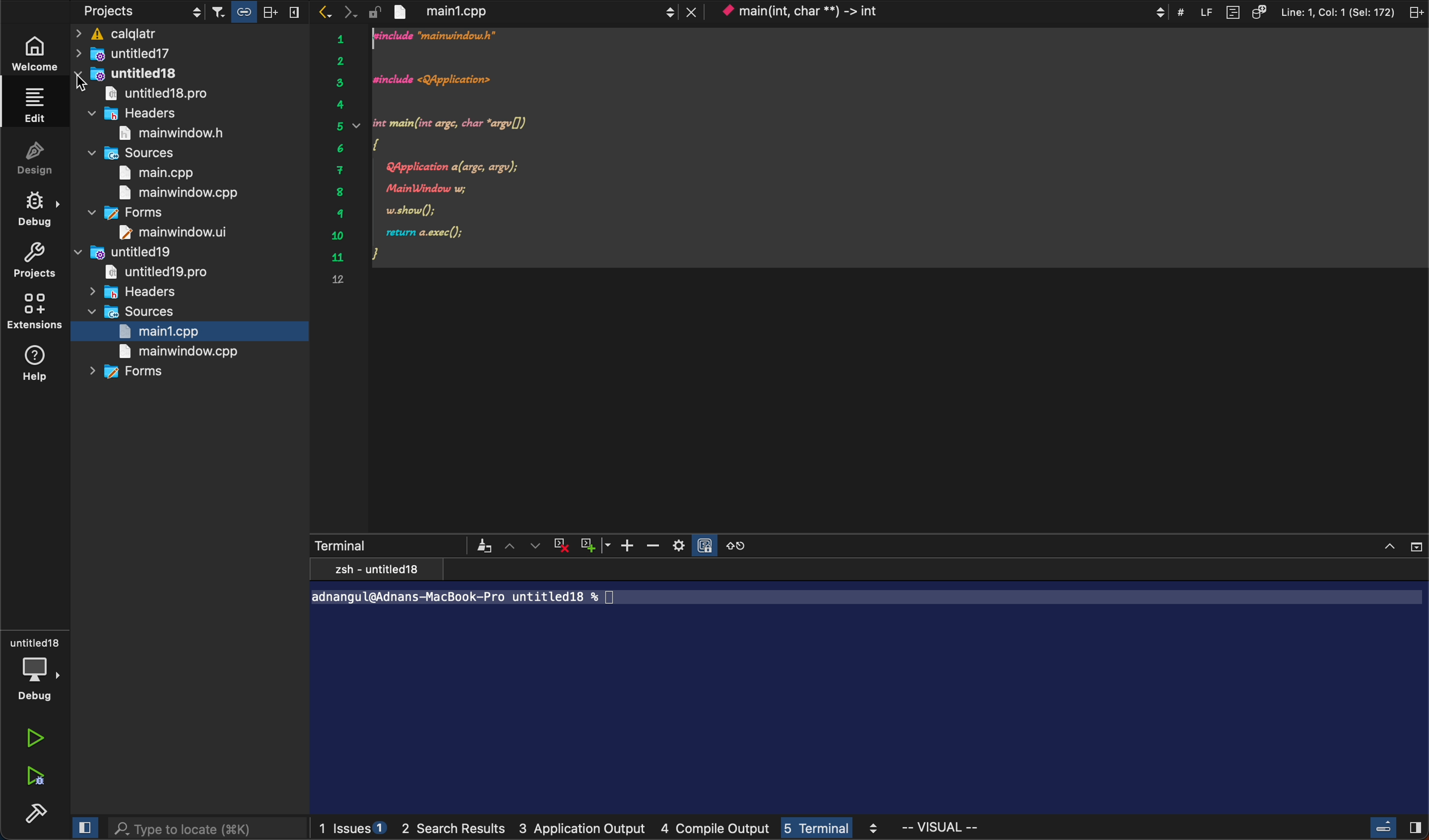 This screenshot has height=840, width=1429. Describe the element at coordinates (1379, 545) in the screenshot. I see `close` at that location.